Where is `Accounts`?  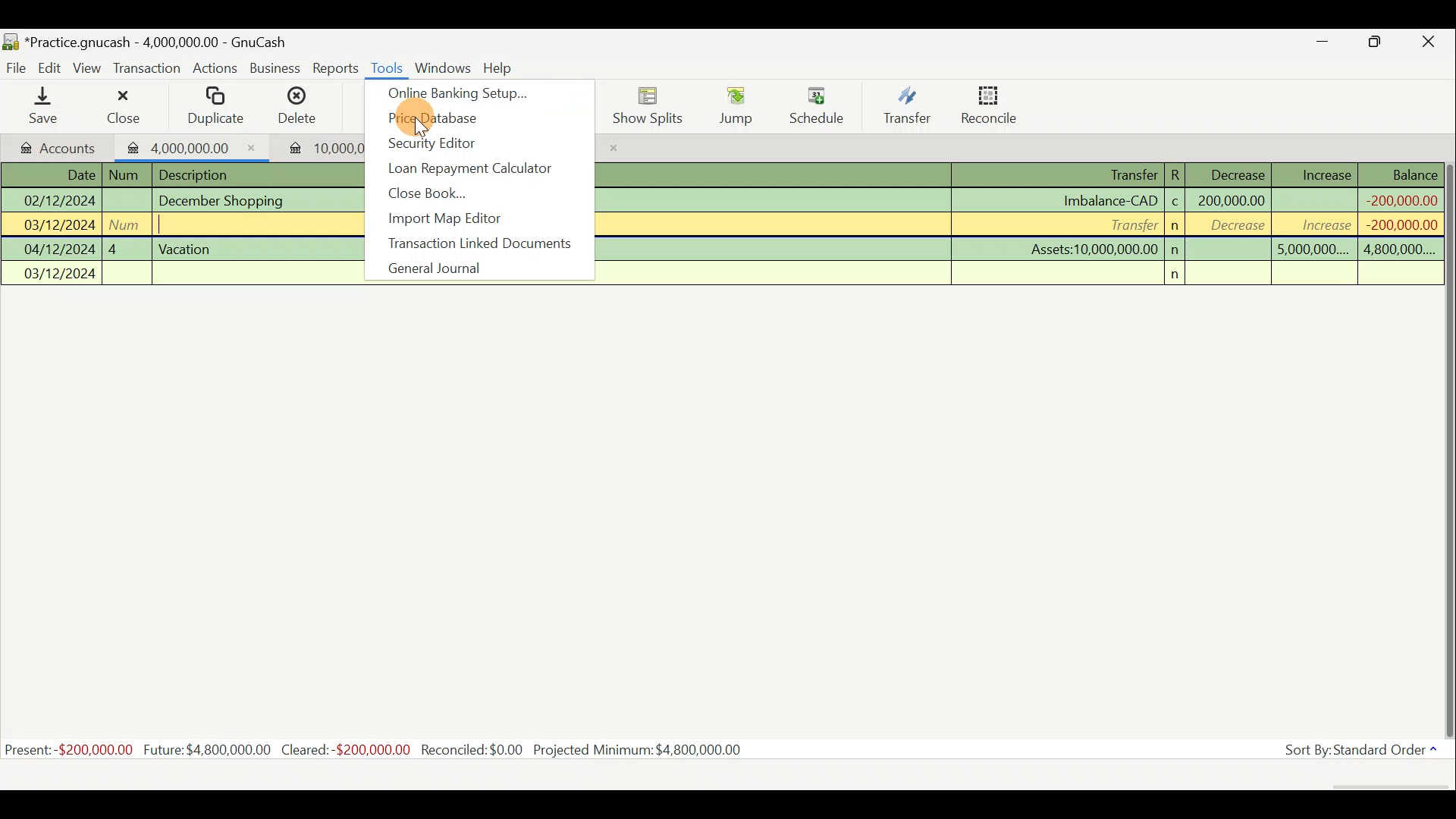
Accounts is located at coordinates (53, 145).